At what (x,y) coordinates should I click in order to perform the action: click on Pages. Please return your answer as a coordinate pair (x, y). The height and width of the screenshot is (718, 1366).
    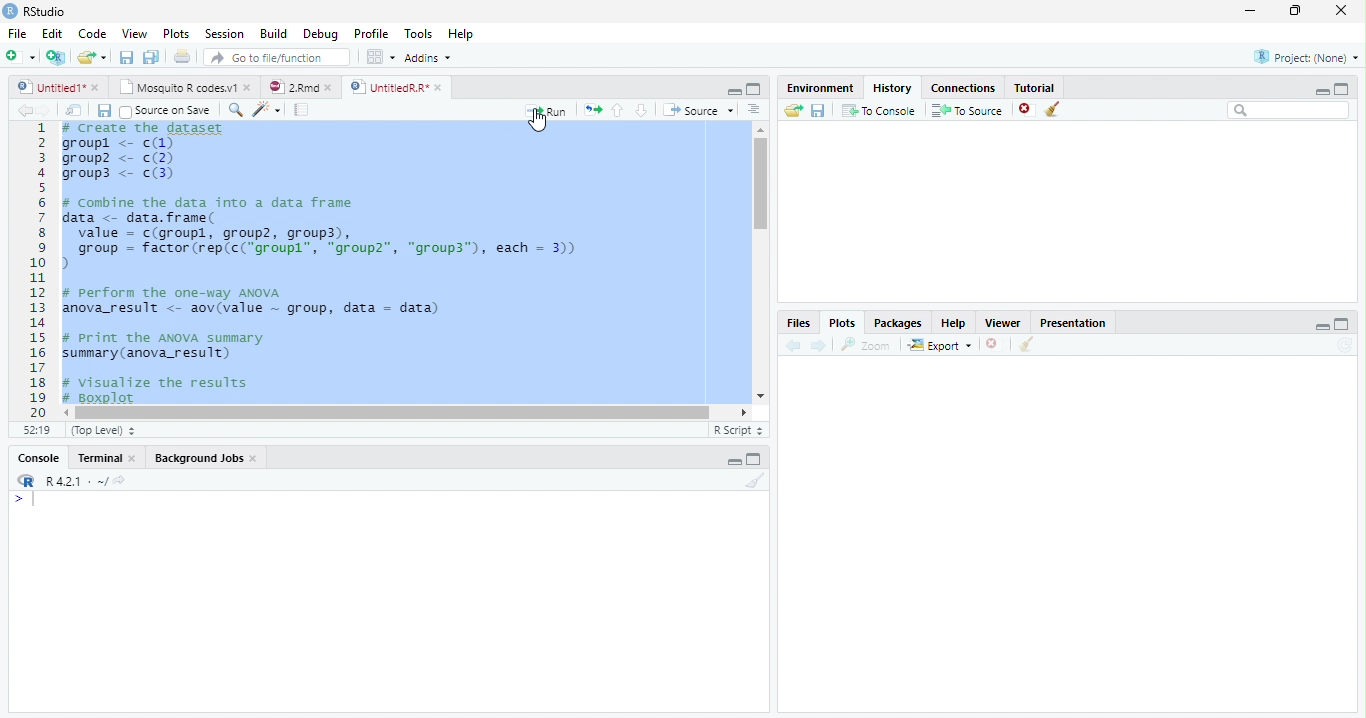
    Looking at the image, I should click on (301, 111).